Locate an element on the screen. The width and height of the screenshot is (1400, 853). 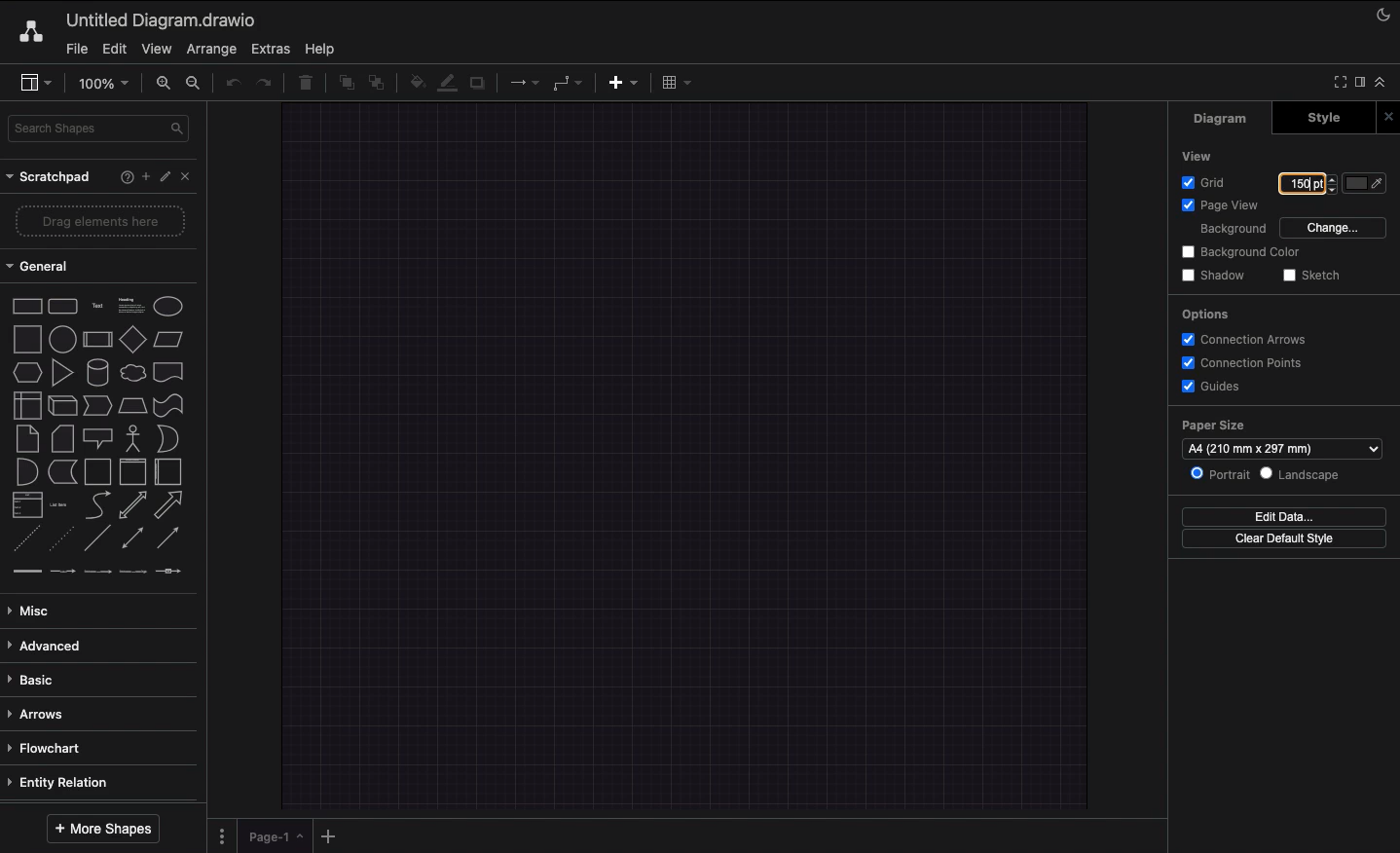
Basic is located at coordinates (39, 677).